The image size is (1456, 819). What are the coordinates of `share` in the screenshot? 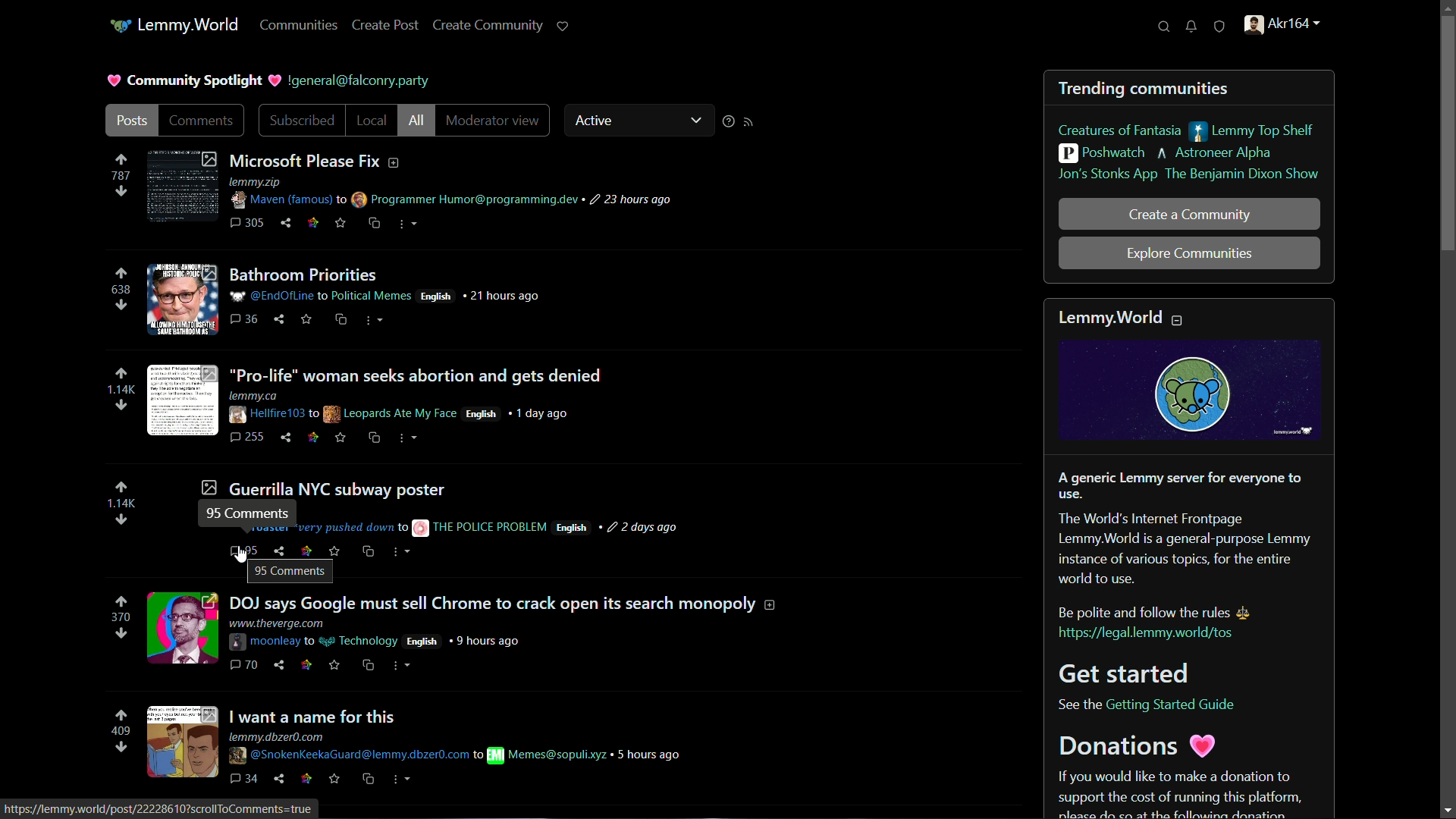 It's located at (286, 224).